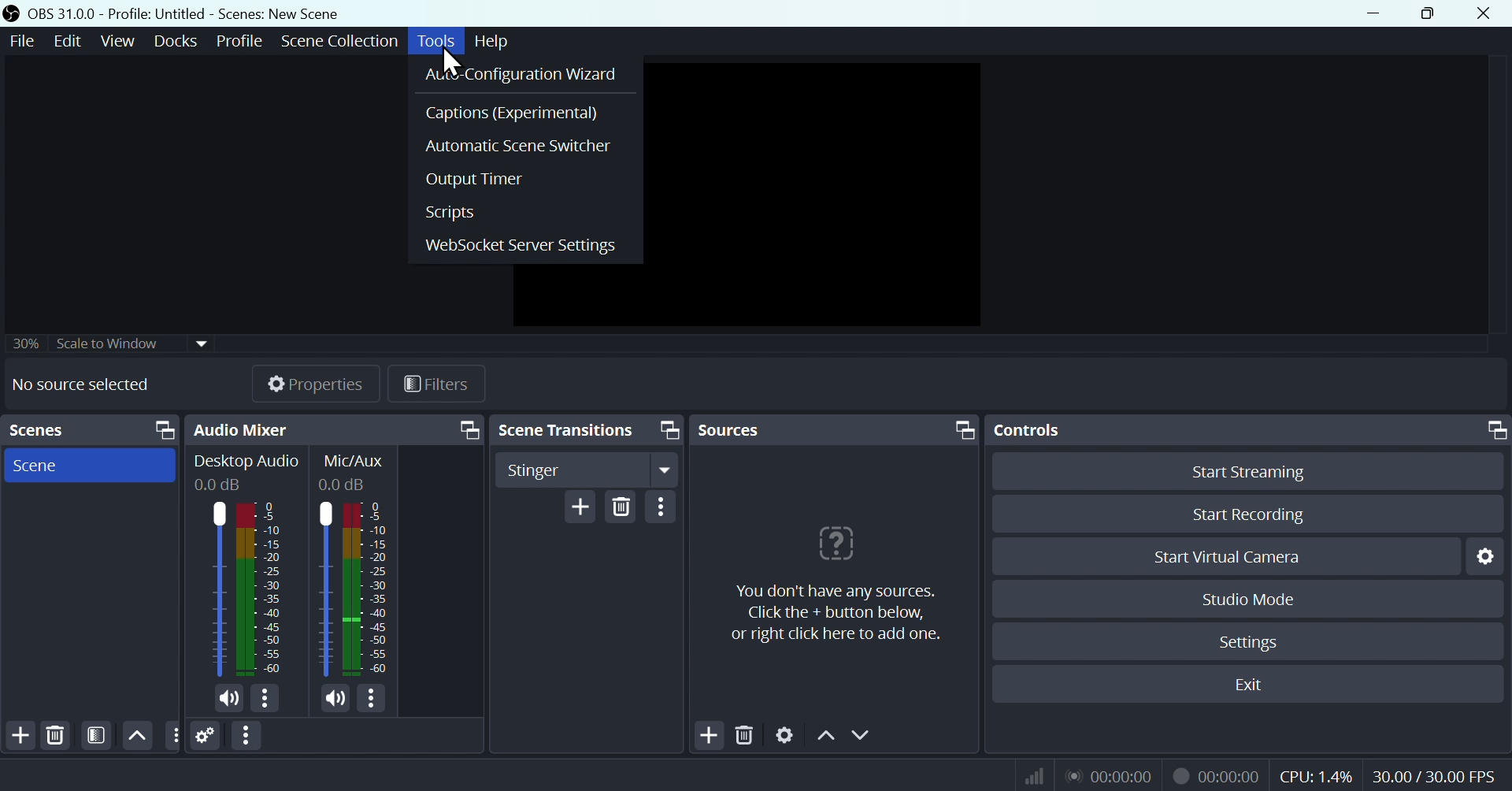 This screenshot has height=791, width=1512. What do you see at coordinates (19, 736) in the screenshot?
I see `Add` at bounding box center [19, 736].